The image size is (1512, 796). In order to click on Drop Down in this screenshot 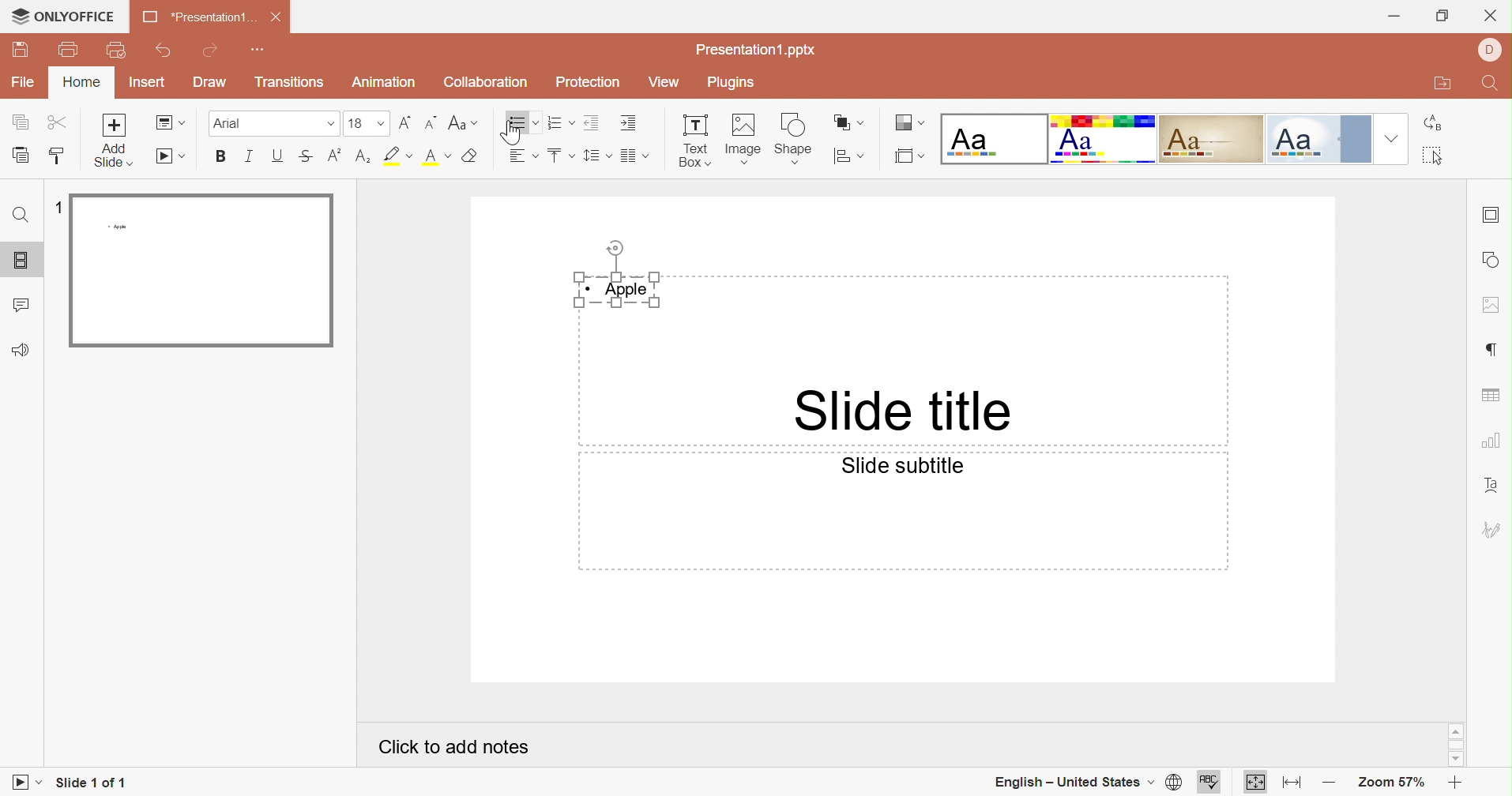, I will do `click(331, 125)`.